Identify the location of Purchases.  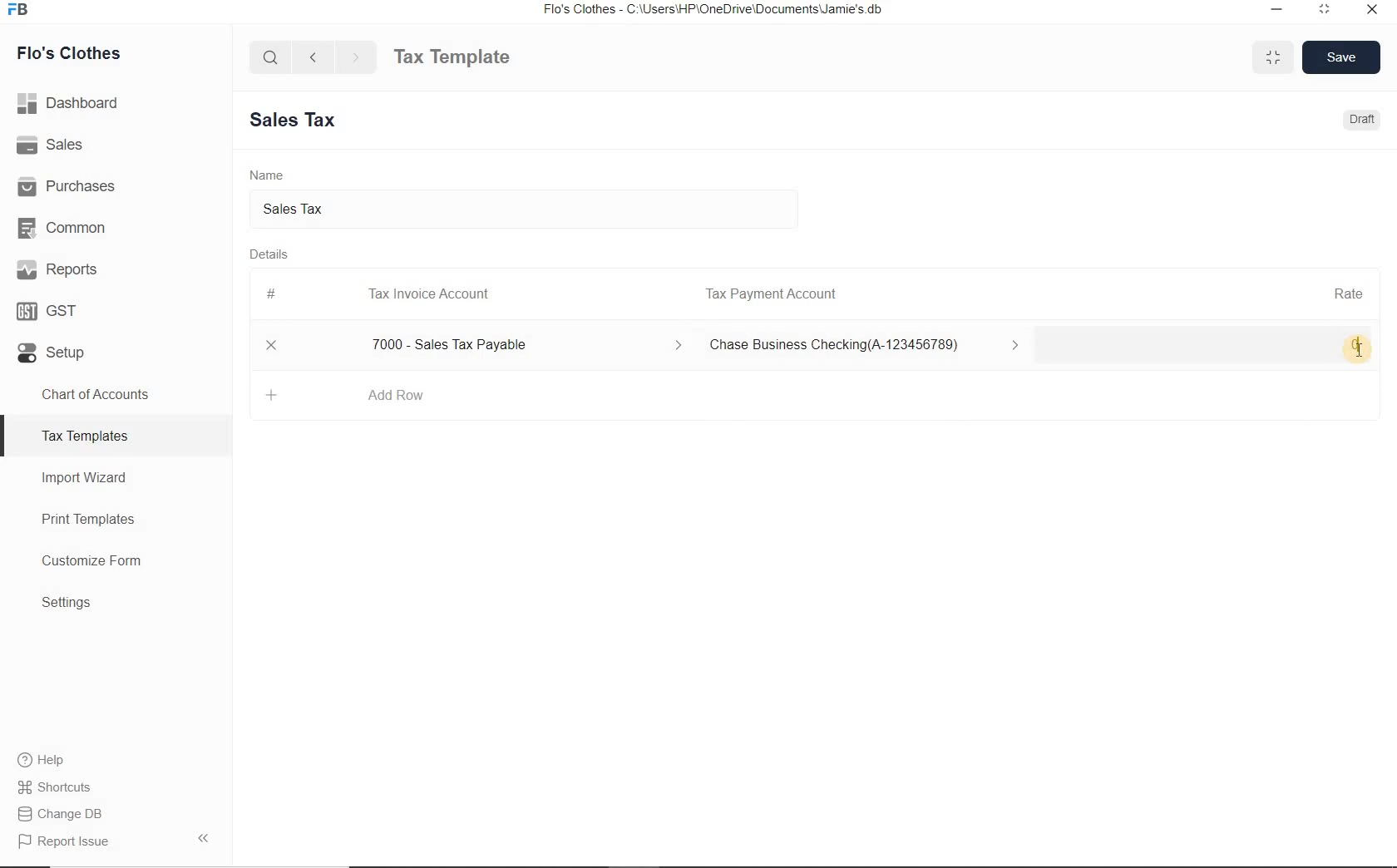
(116, 184).